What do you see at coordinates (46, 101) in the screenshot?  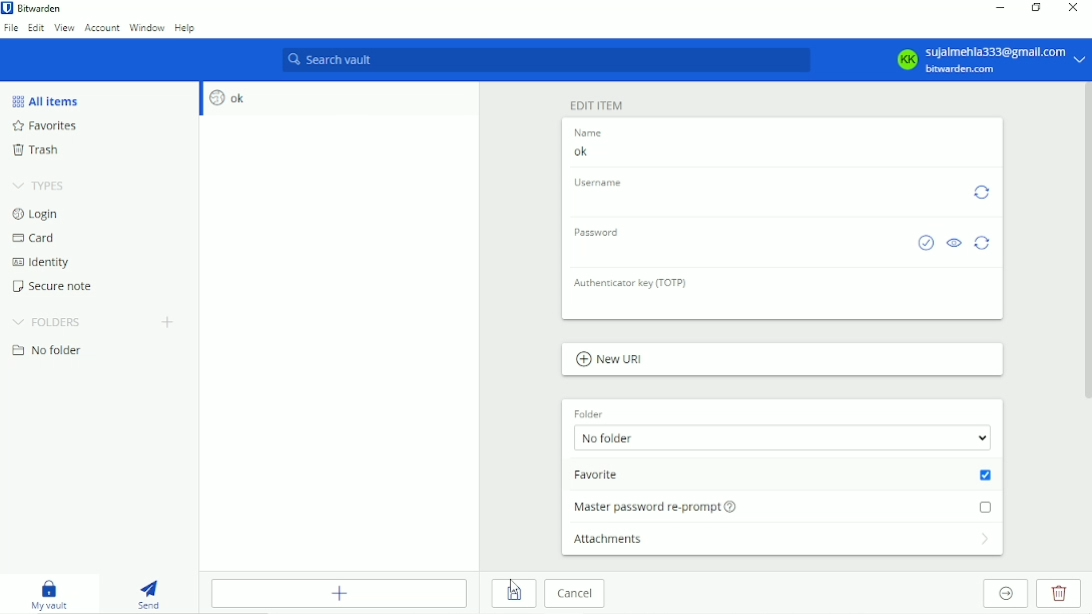 I see `All items` at bounding box center [46, 101].